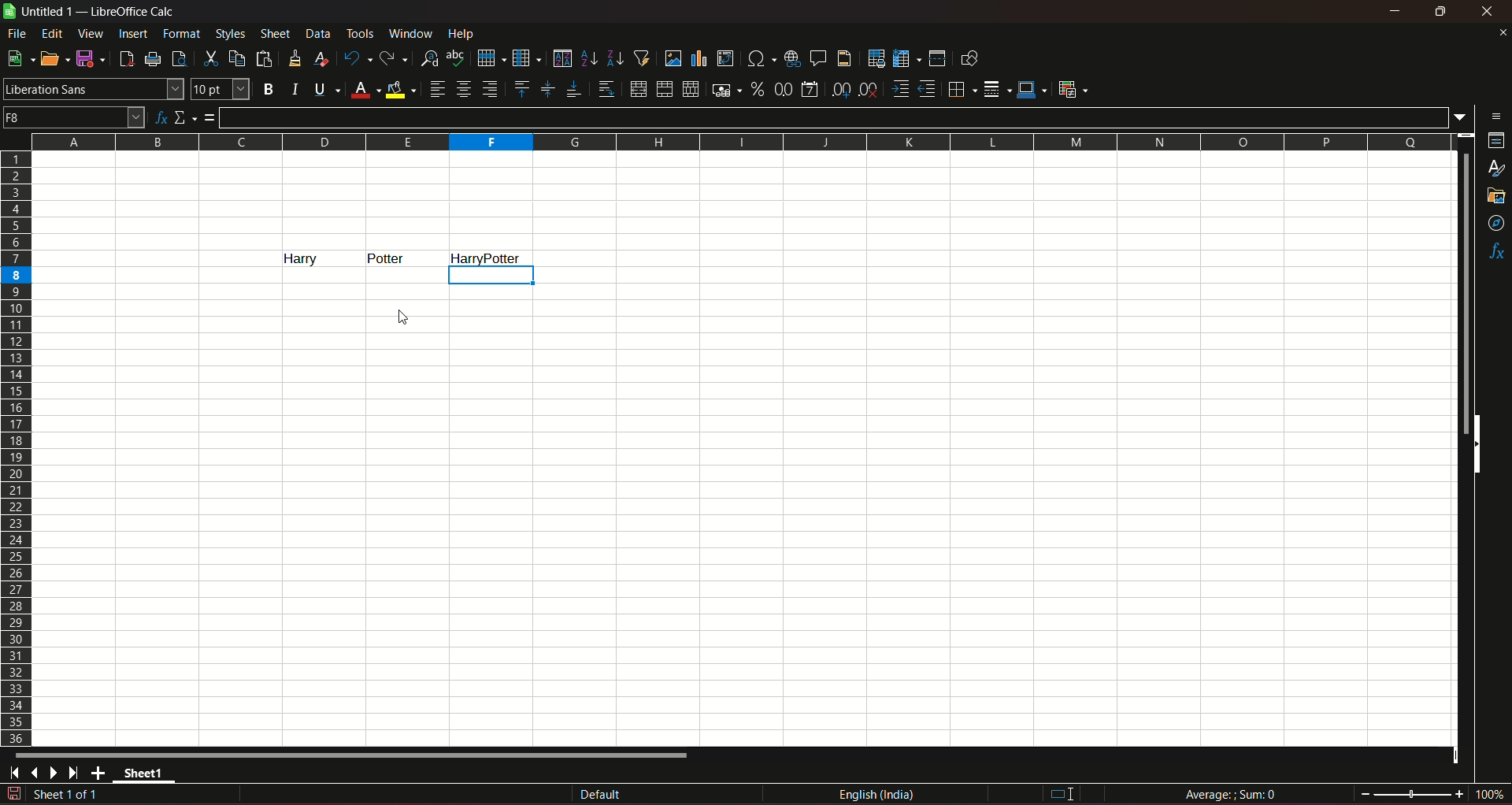  What do you see at coordinates (428, 57) in the screenshot?
I see `find and replace` at bounding box center [428, 57].